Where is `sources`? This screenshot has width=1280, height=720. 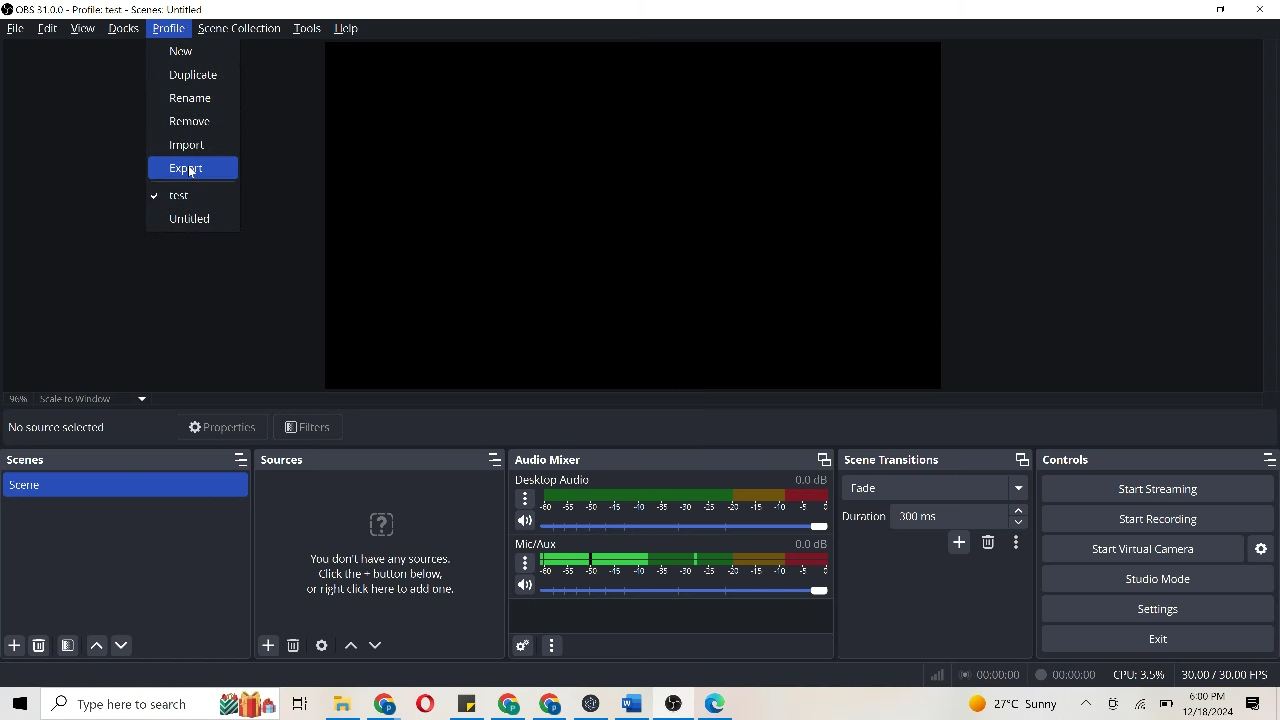 sources is located at coordinates (288, 463).